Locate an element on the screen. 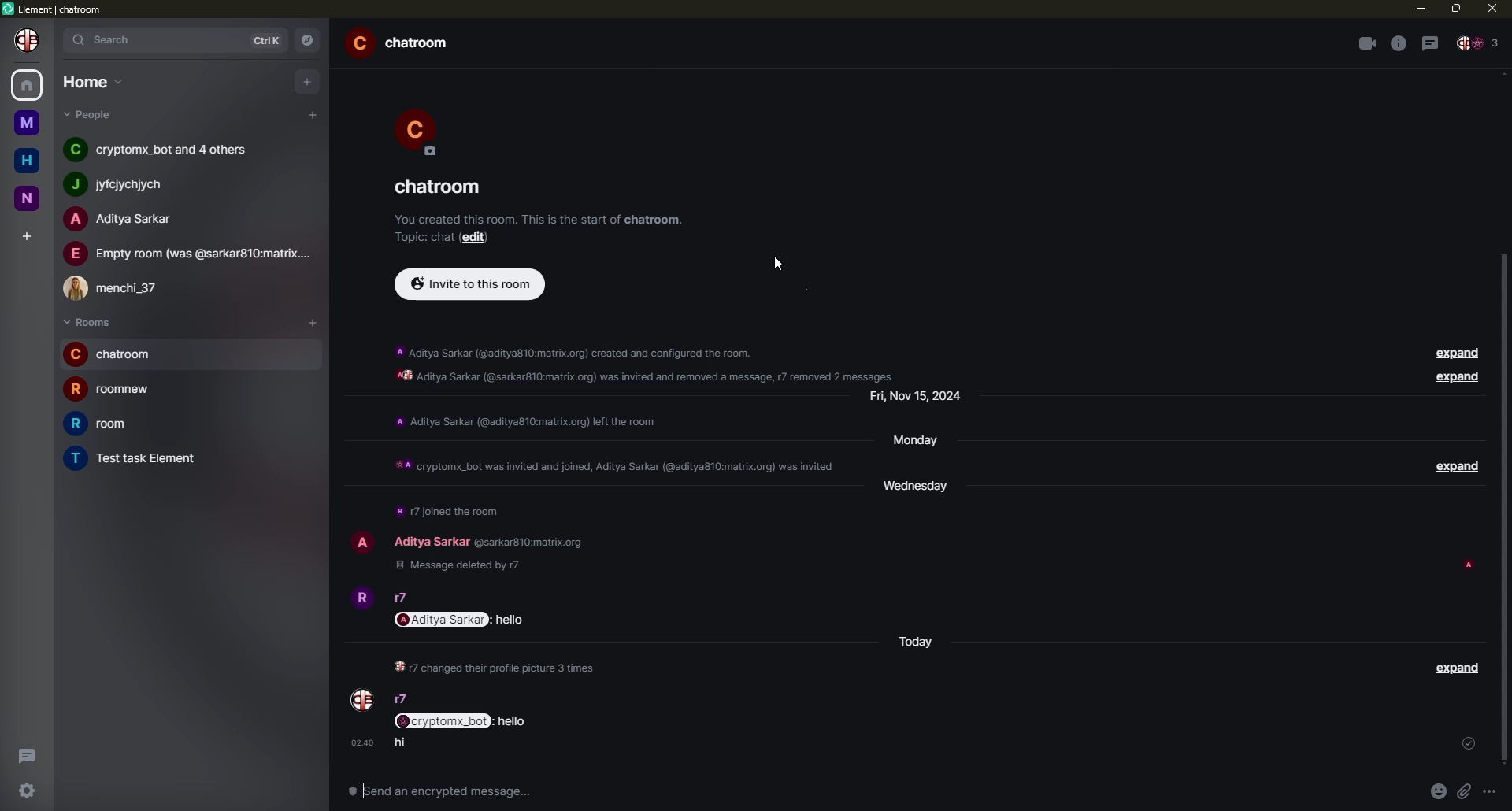 The image size is (1512, 811). info is located at coordinates (610, 468).